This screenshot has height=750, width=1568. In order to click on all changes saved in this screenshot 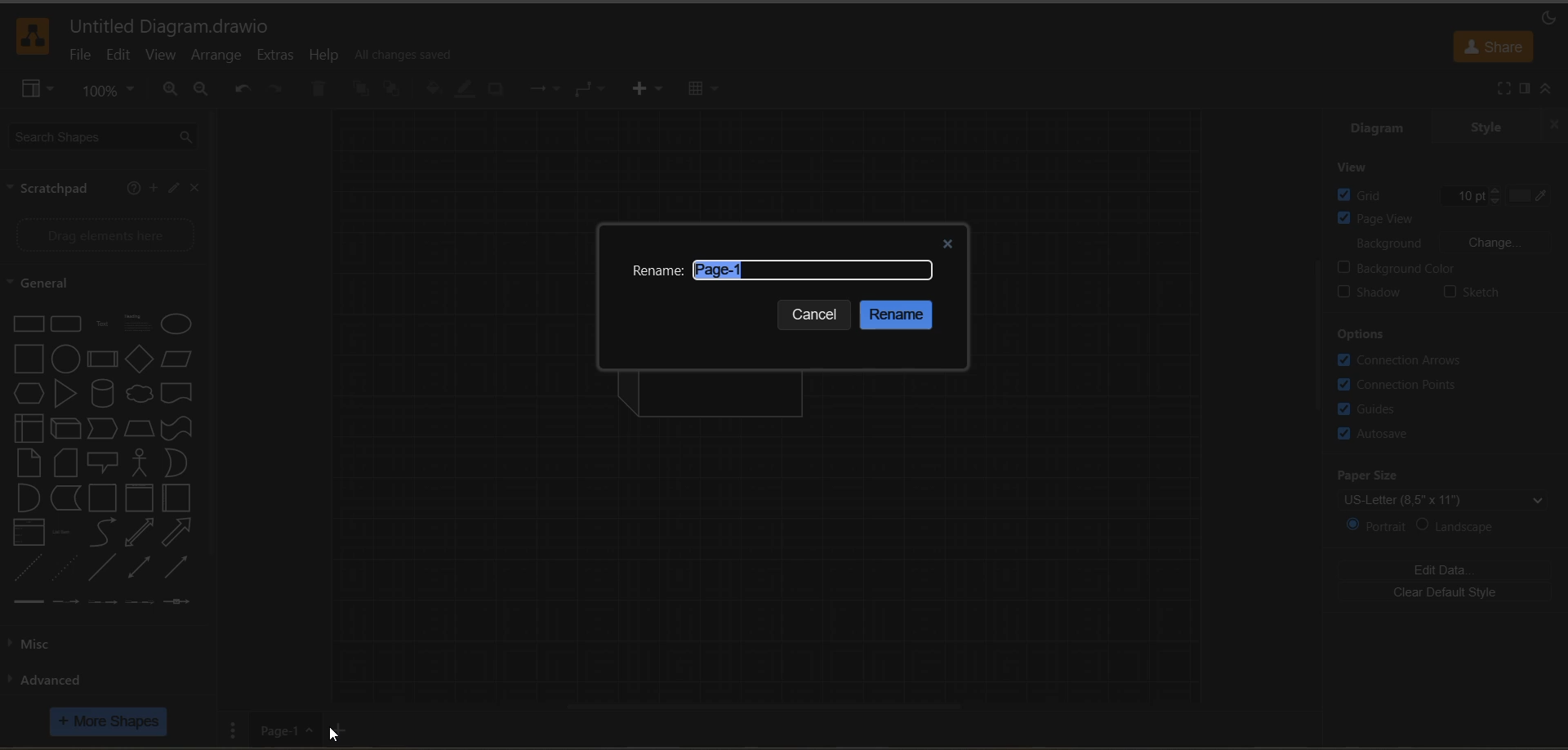, I will do `click(406, 53)`.